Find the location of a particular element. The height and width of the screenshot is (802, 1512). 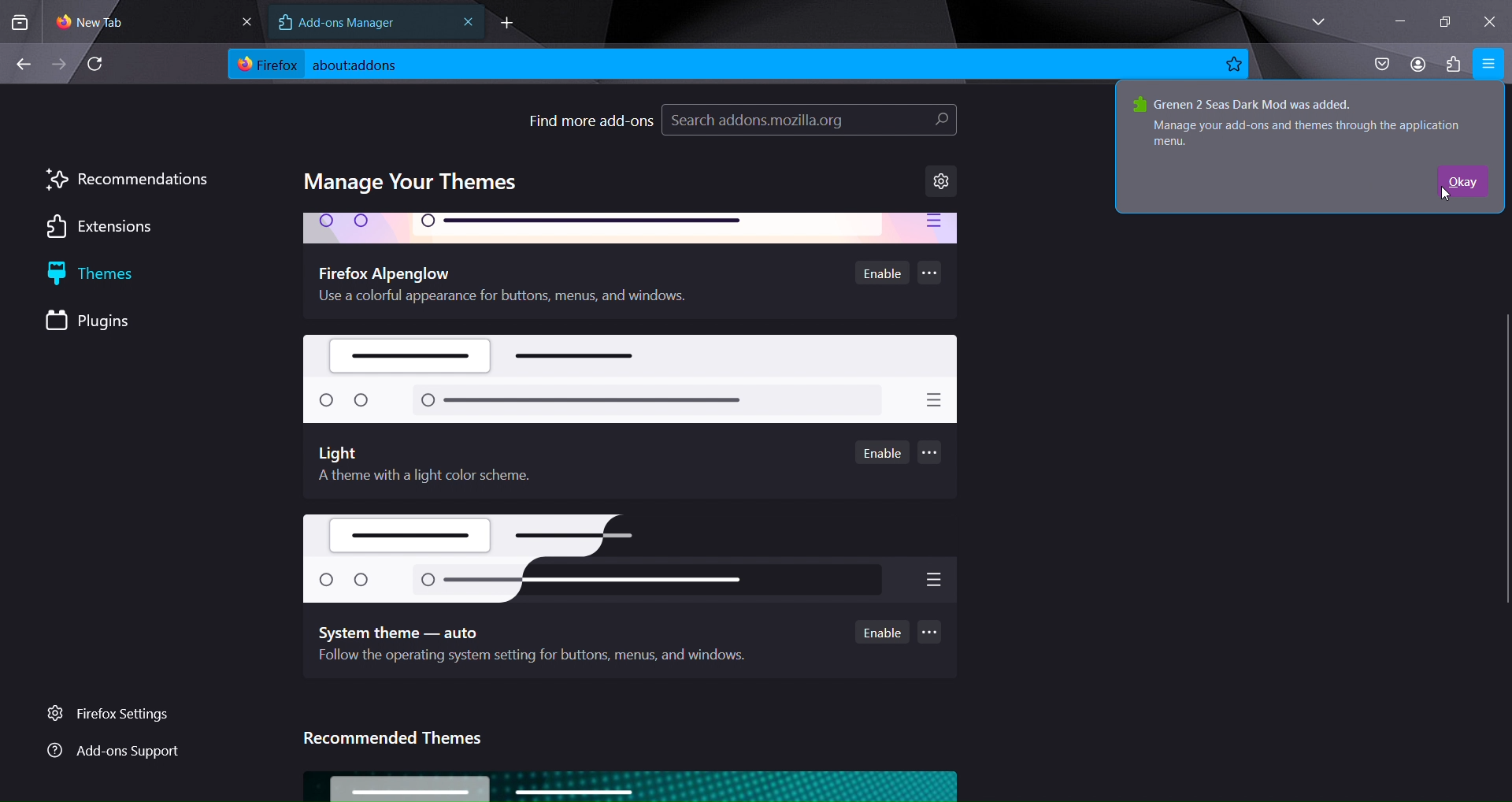

... is located at coordinates (932, 633).